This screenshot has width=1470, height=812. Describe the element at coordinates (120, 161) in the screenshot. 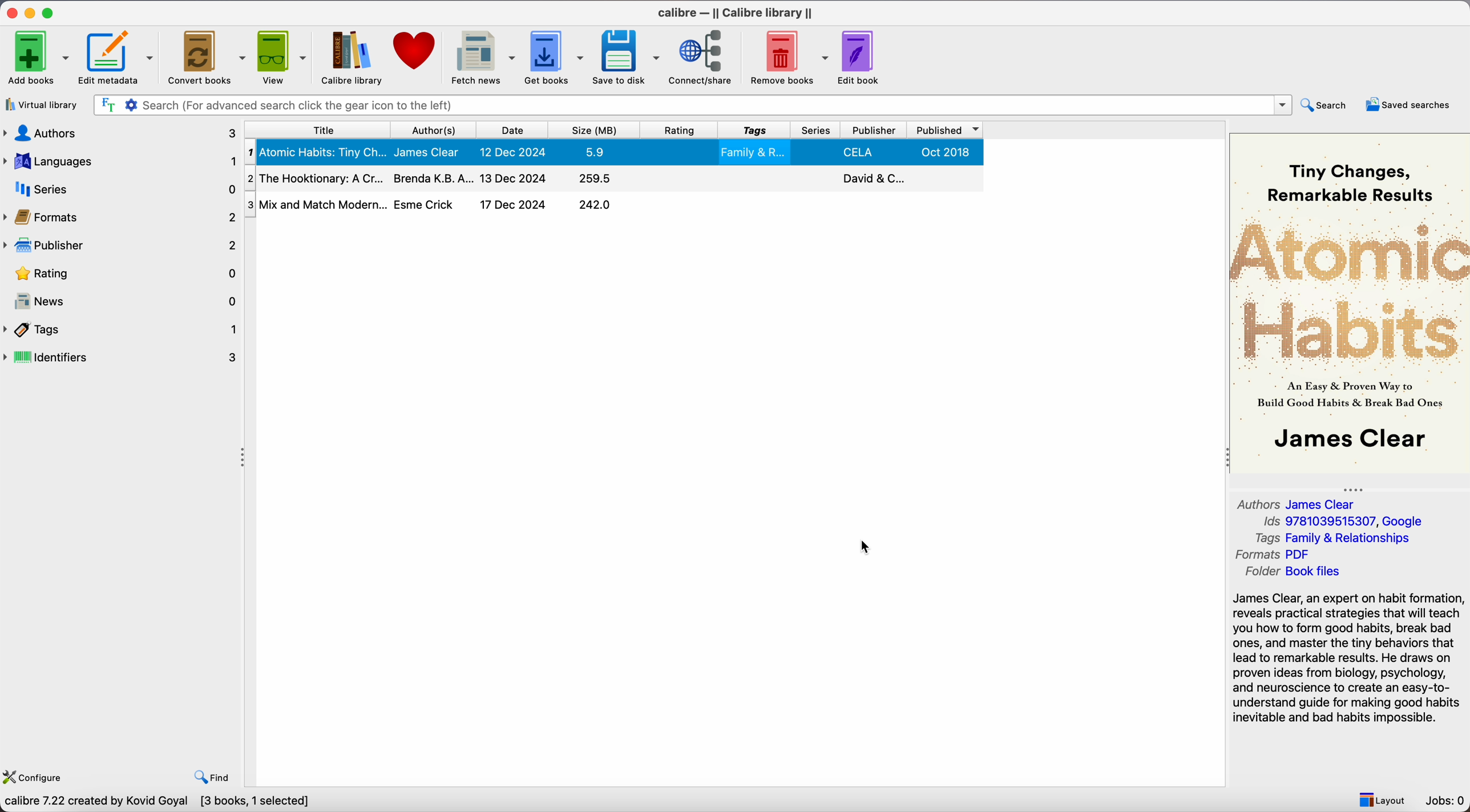

I see `languages` at that location.